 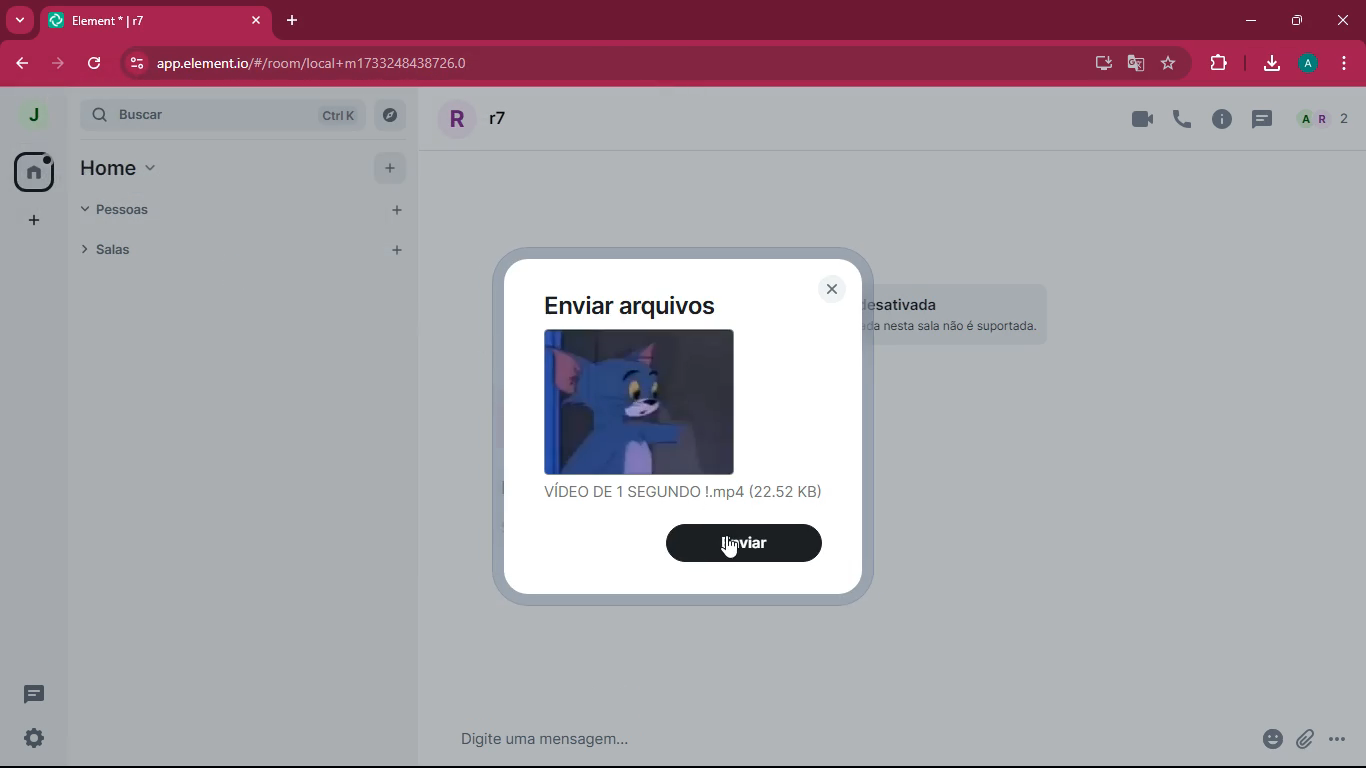 What do you see at coordinates (683, 495) in the screenshot?
I see `video de 1 segundo !mp4 (22.52 kb)` at bounding box center [683, 495].